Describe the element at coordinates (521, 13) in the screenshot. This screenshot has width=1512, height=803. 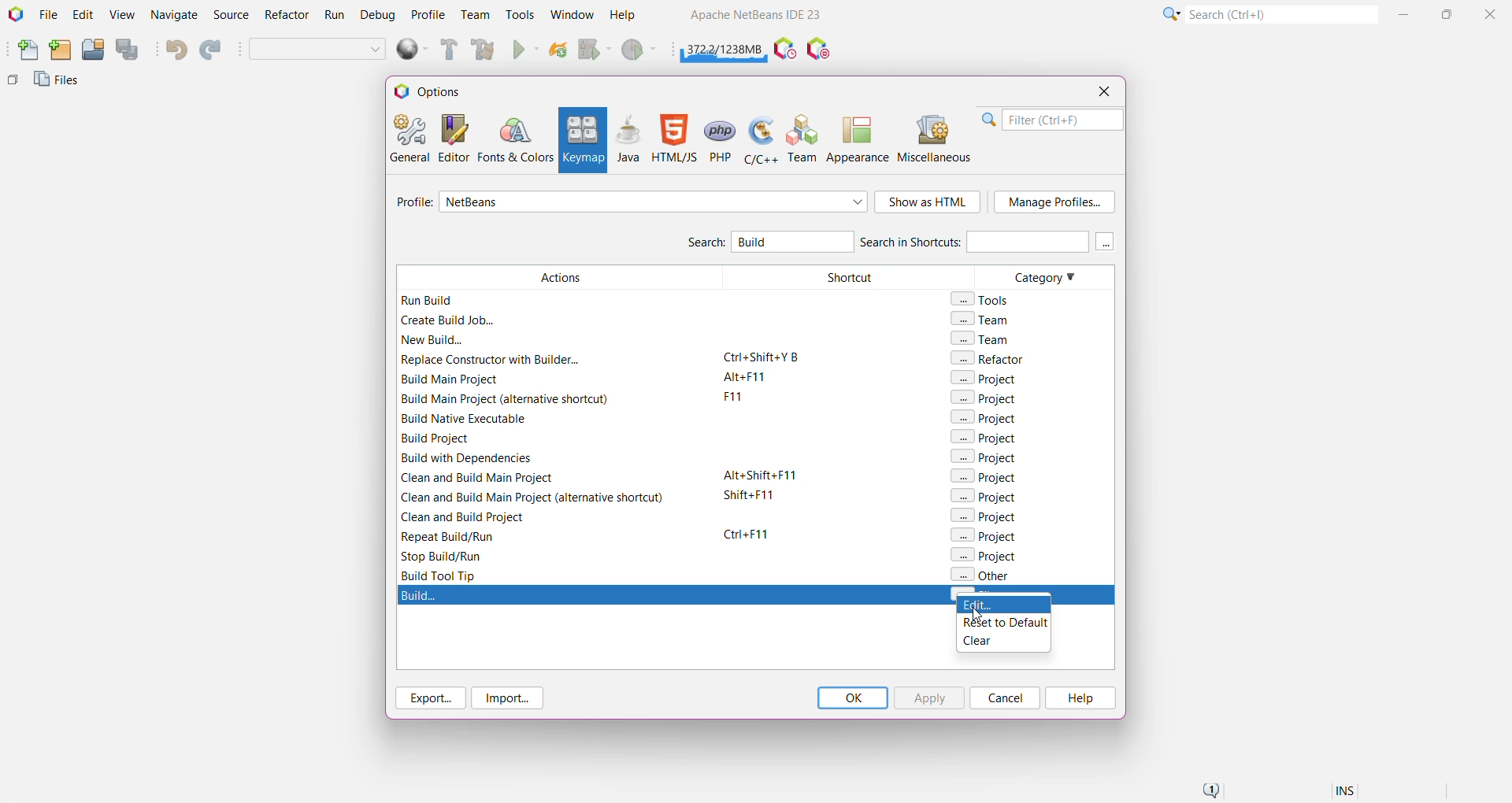
I see `Tools` at that location.